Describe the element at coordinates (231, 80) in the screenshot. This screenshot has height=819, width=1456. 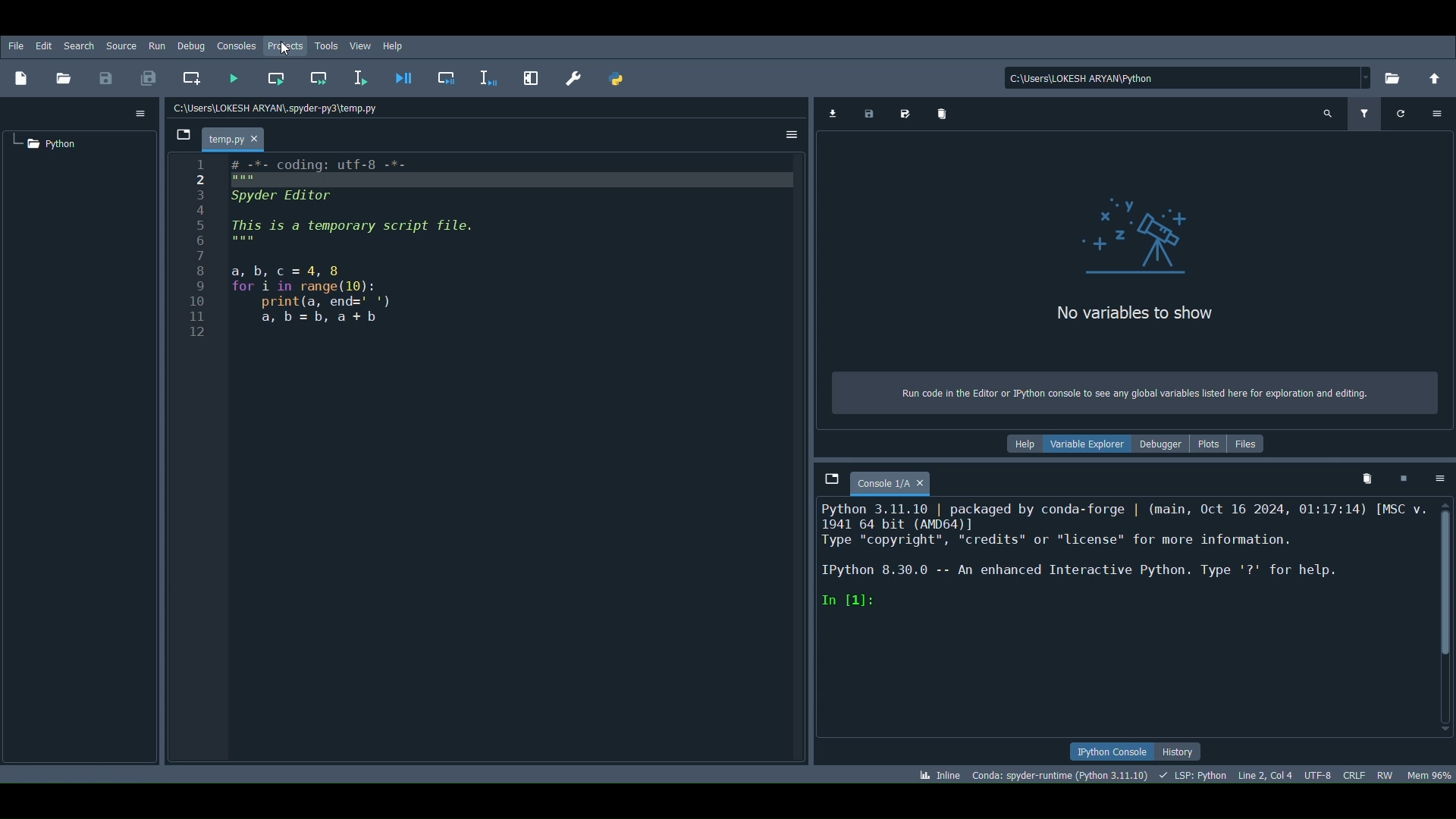
I see `Run file (F5)` at that location.